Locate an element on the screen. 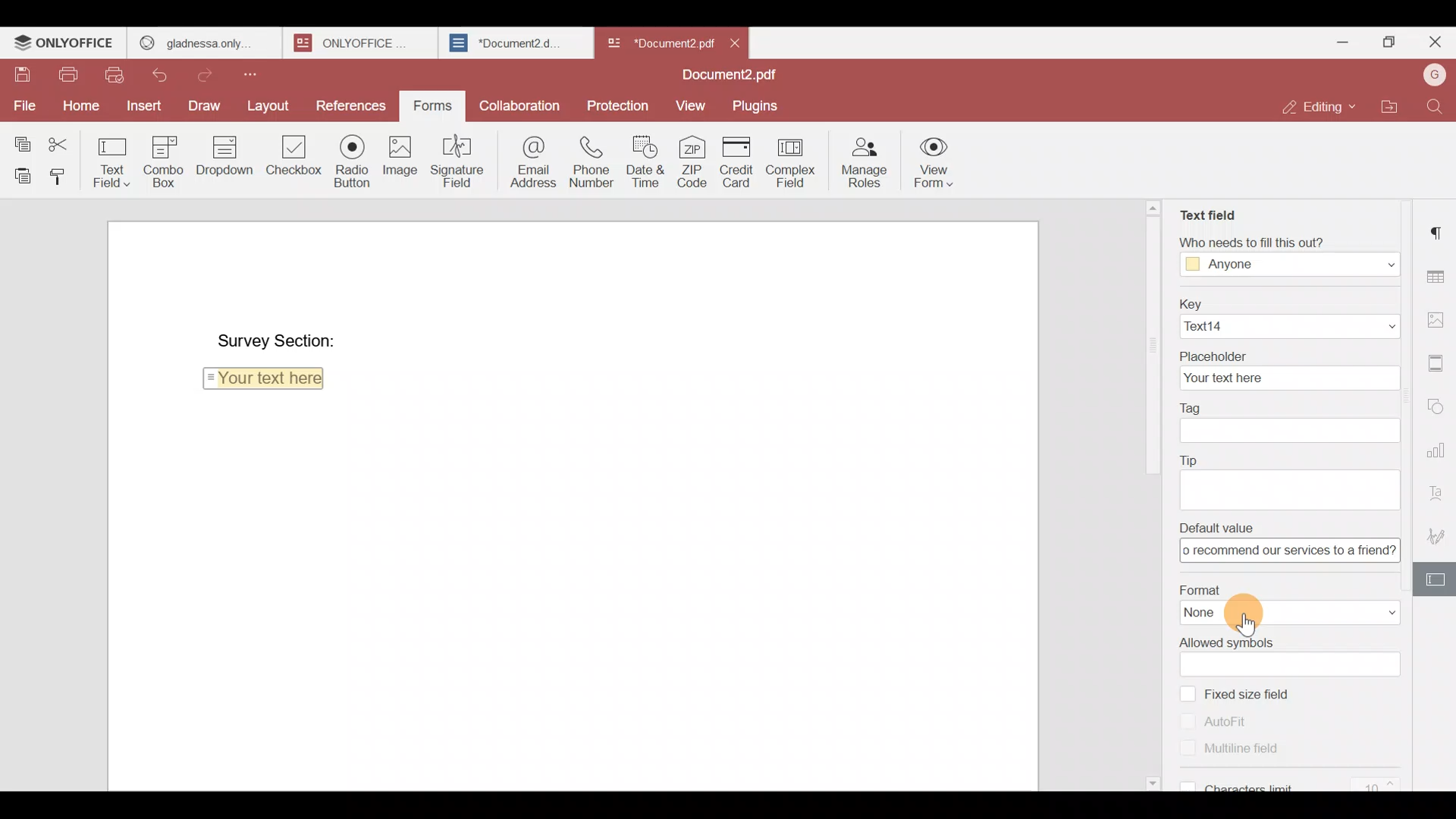  ONLYOFFICE is located at coordinates (64, 42).